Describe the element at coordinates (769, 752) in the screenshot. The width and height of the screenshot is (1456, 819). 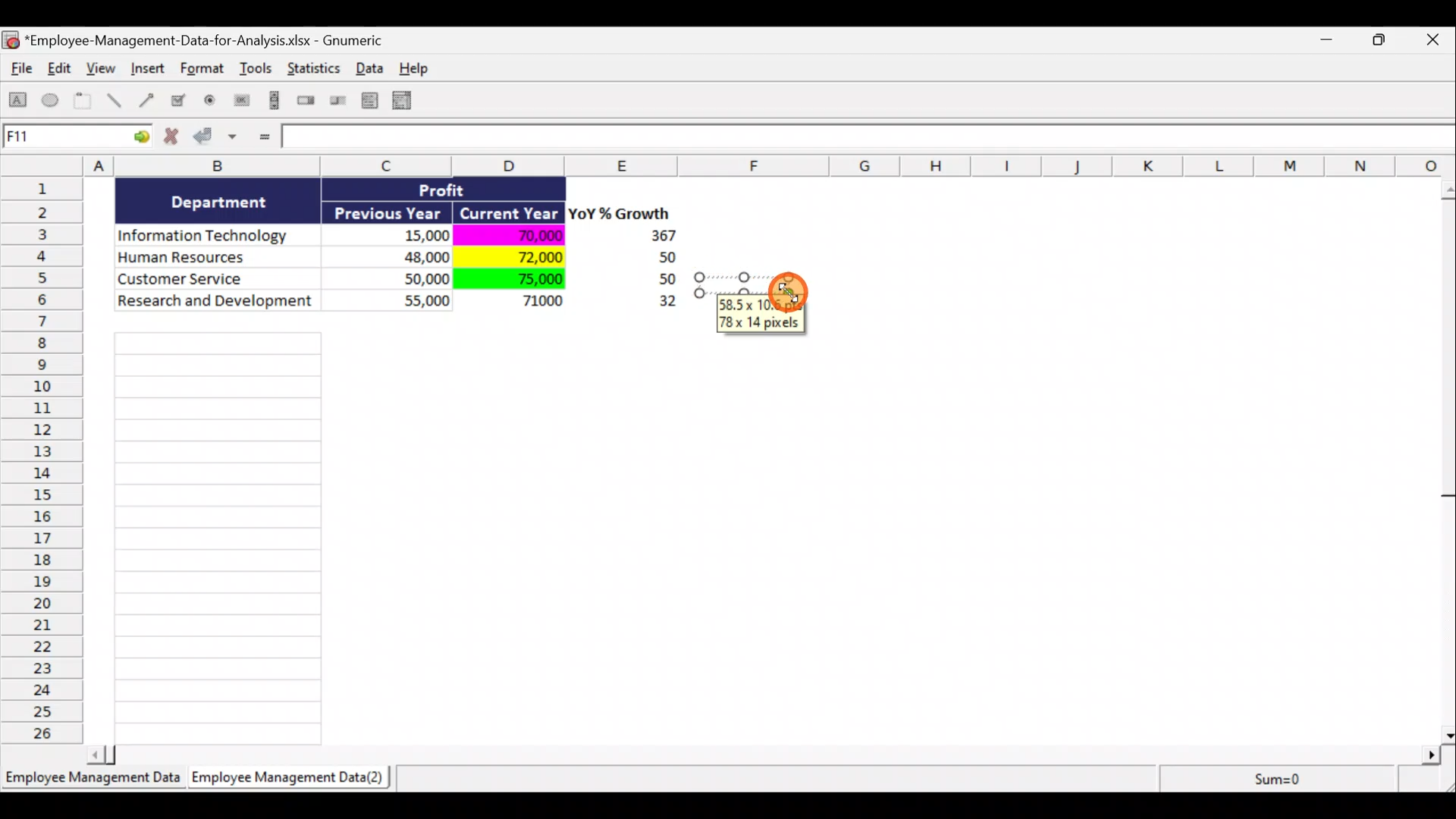
I see `Scroll bar` at that location.